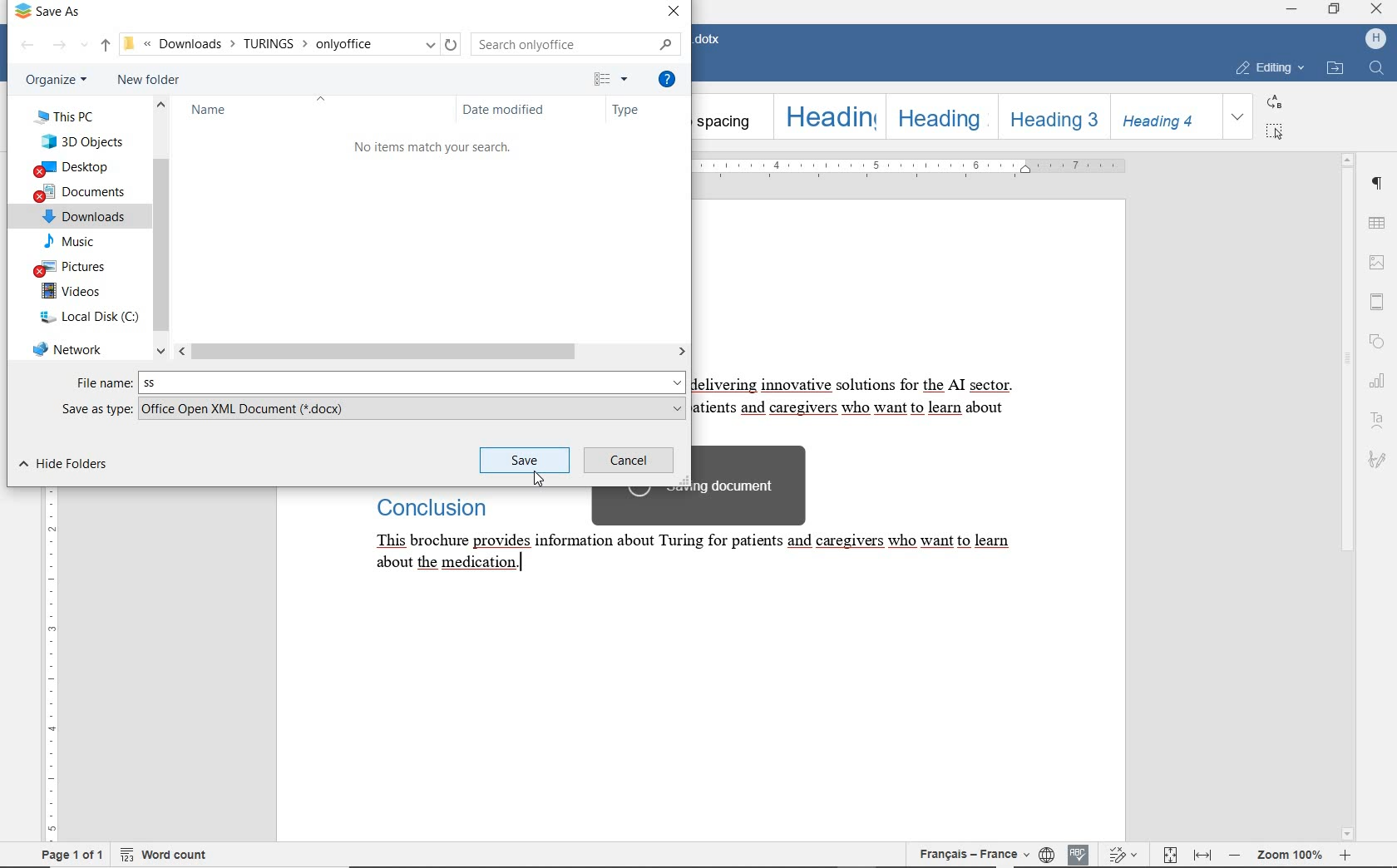  I want to click on scroll up, so click(1347, 159).